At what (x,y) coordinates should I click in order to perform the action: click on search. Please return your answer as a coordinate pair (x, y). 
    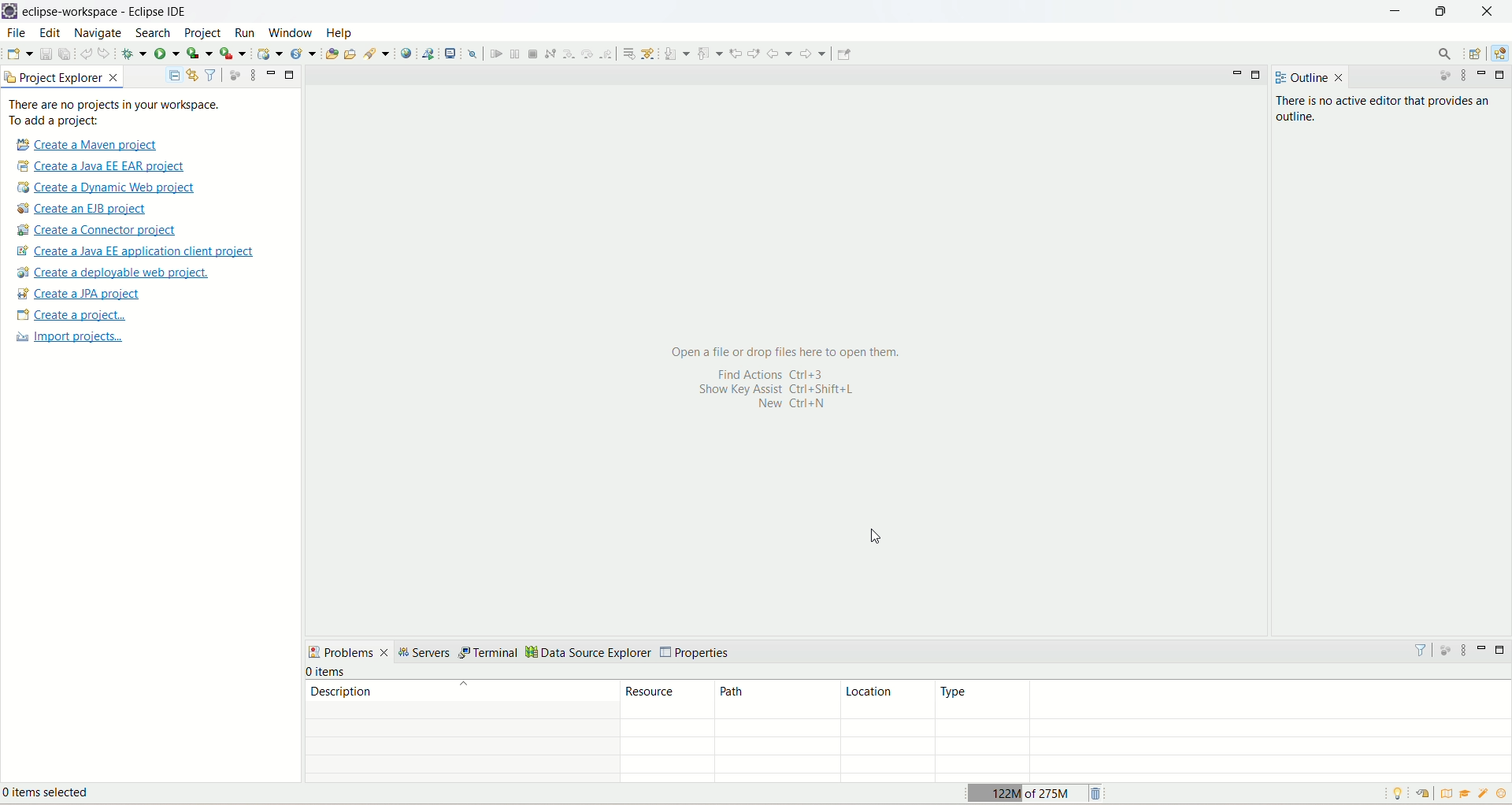
    Looking at the image, I should click on (378, 54).